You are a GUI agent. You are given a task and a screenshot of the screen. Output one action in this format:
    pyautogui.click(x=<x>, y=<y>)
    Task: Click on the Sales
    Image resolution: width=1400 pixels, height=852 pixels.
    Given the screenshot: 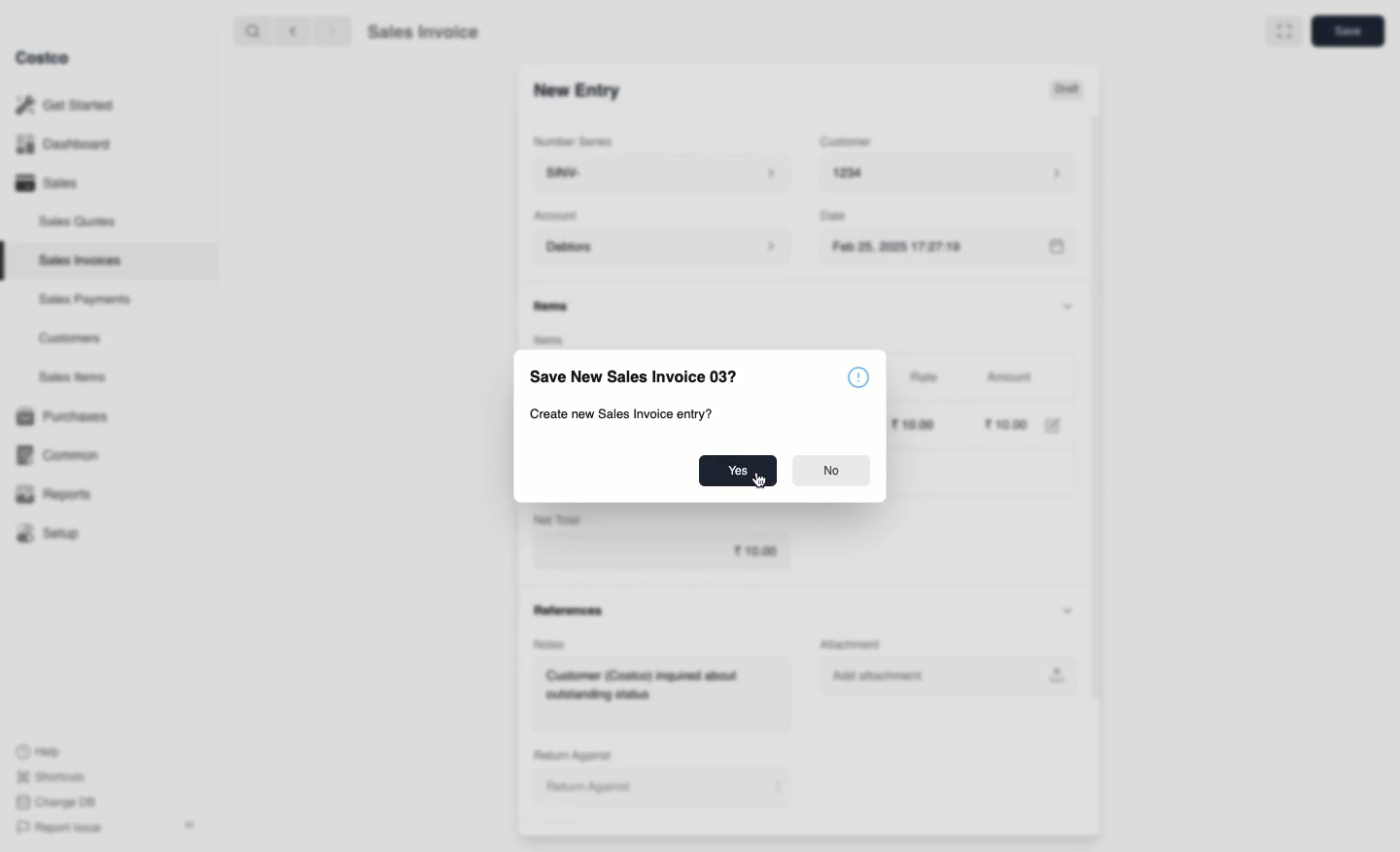 What is the action you would take?
    pyautogui.click(x=48, y=184)
    